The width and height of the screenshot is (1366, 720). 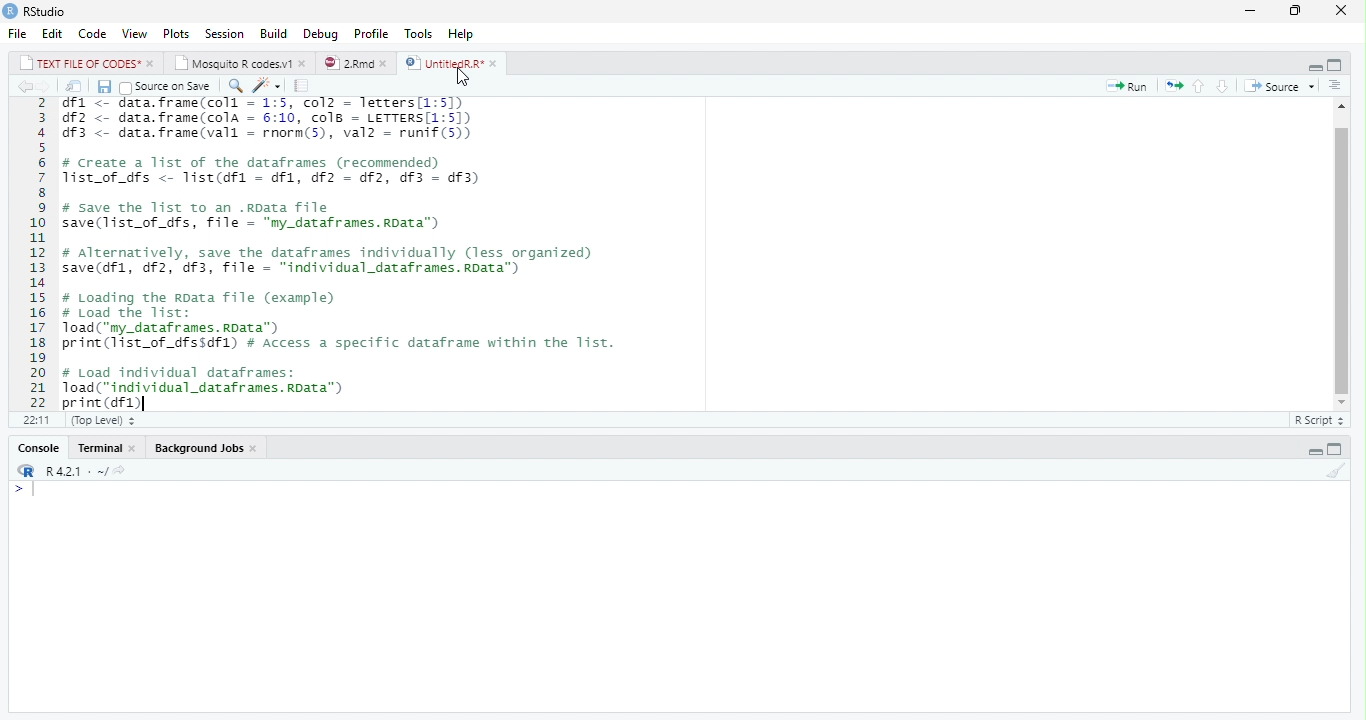 I want to click on Source, so click(x=1277, y=85).